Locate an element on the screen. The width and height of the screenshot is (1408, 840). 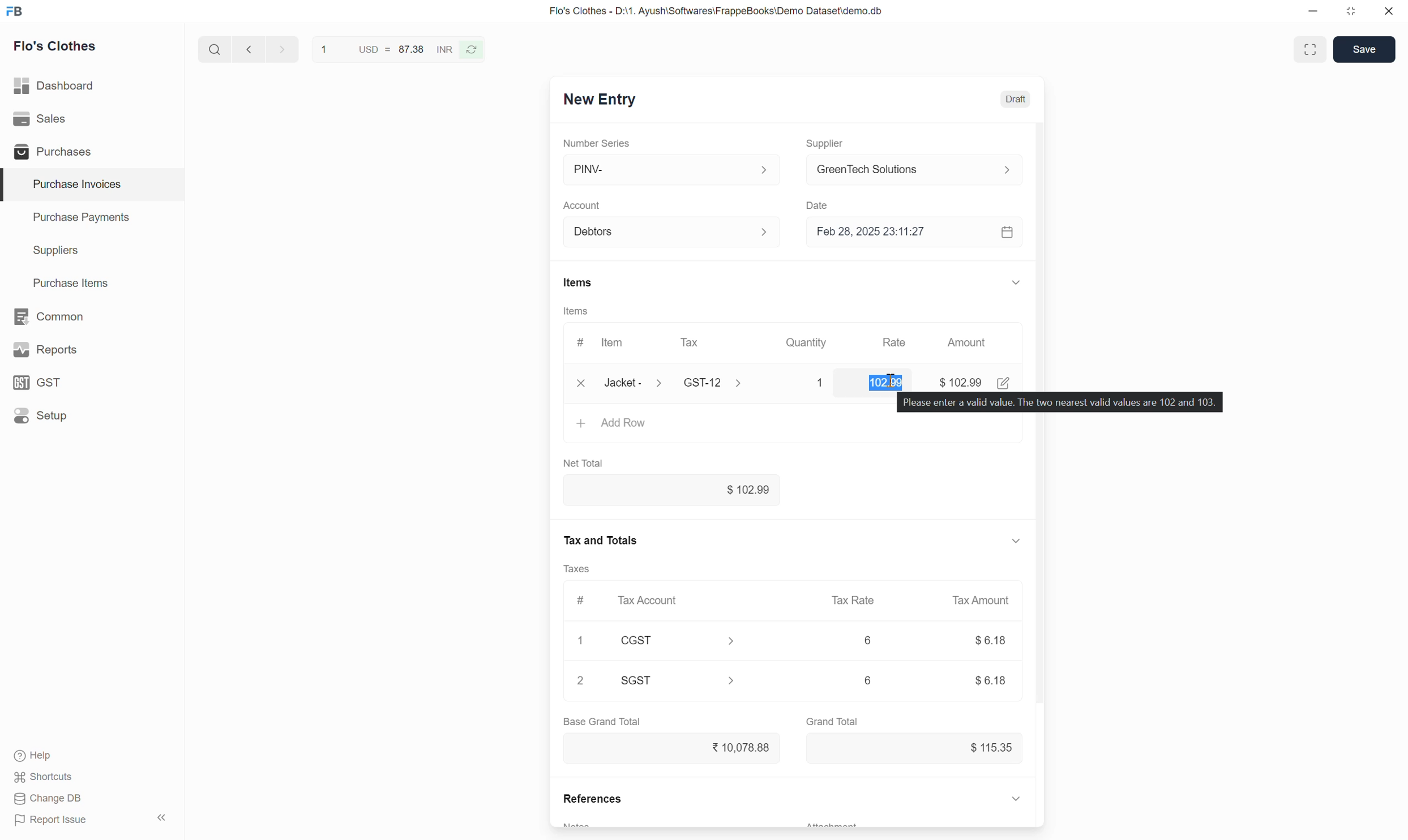
Collapse is located at coordinates (1017, 282).